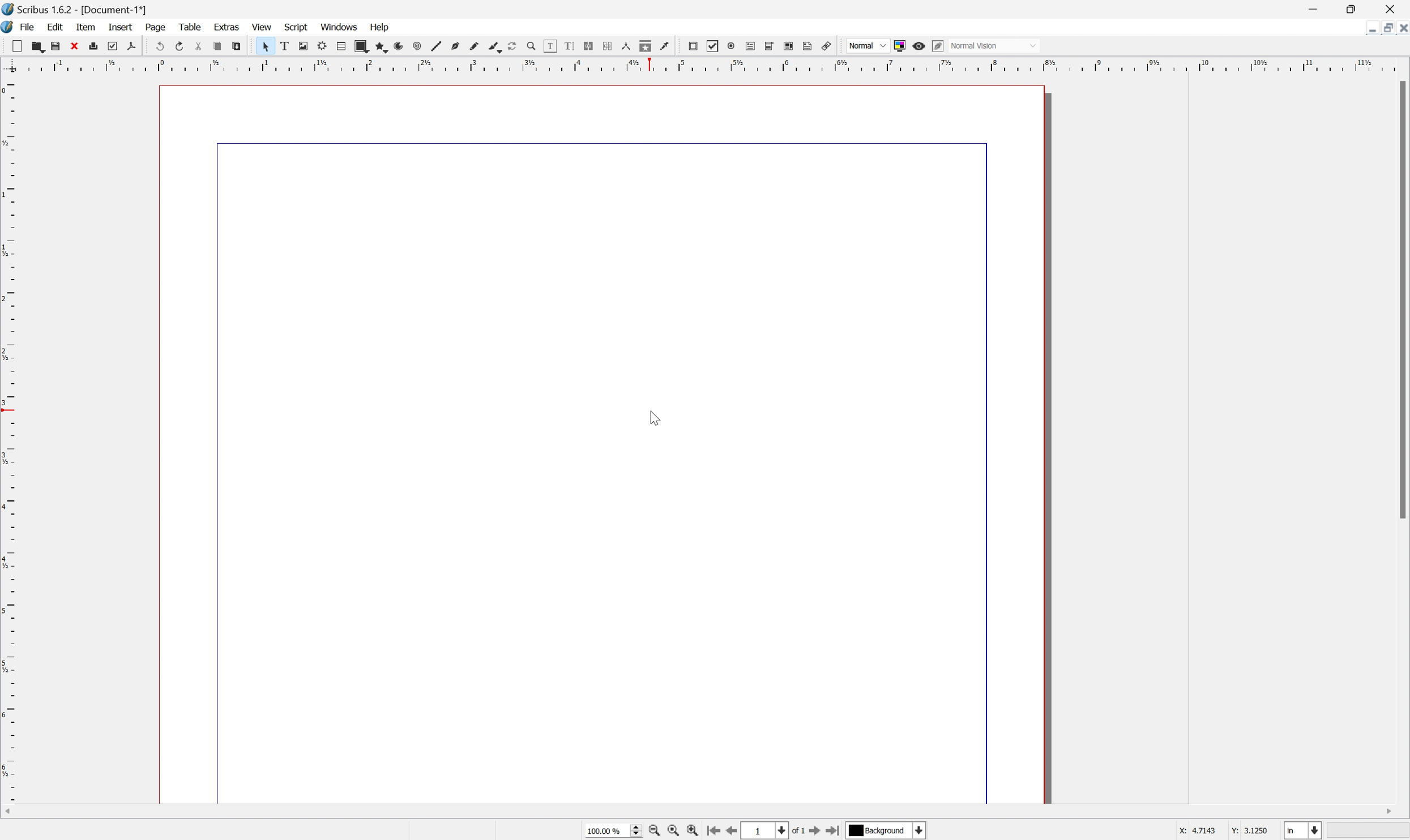 This screenshot has height=840, width=1410. Describe the element at coordinates (361, 45) in the screenshot. I see `shape` at that location.